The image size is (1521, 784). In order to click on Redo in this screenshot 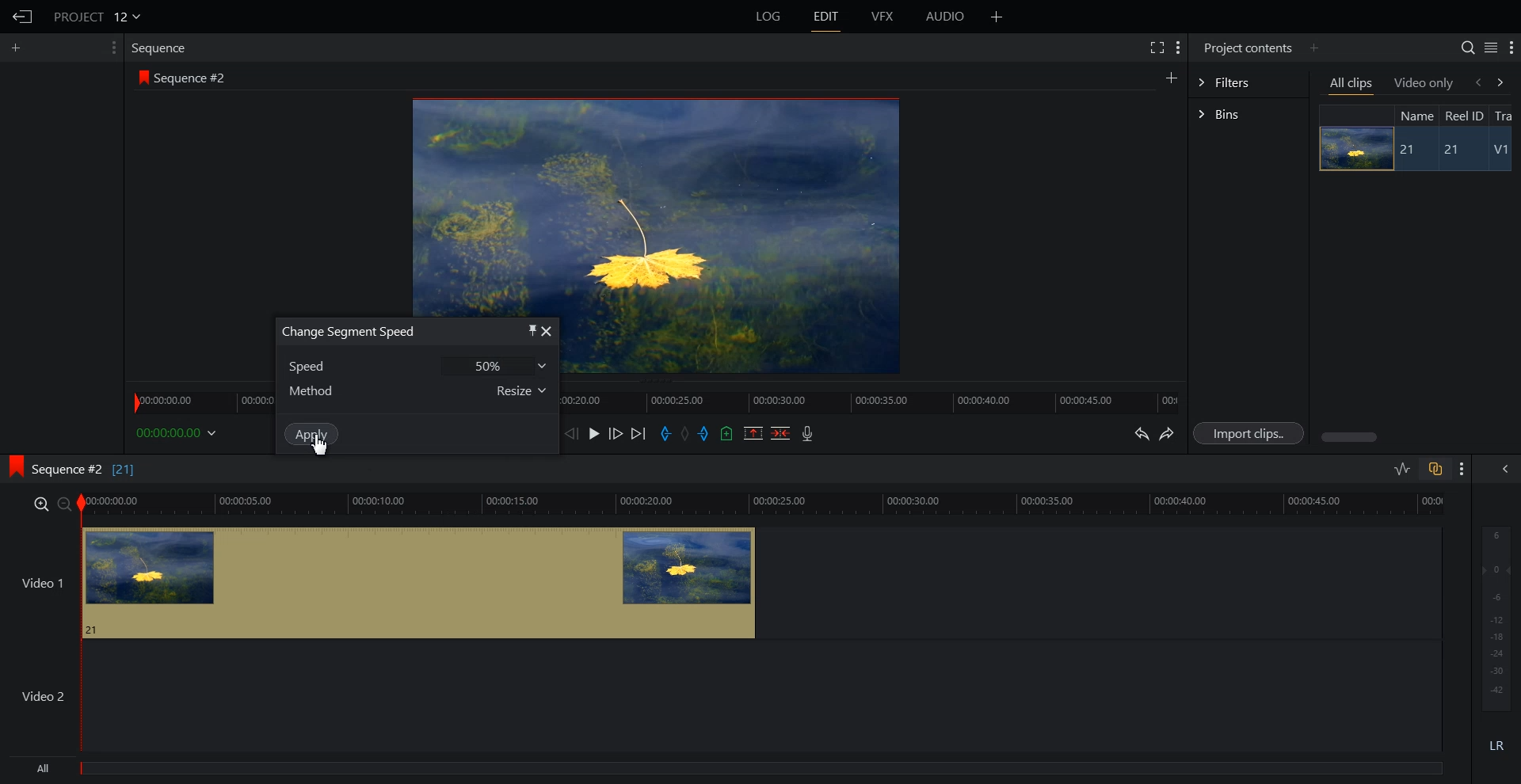, I will do `click(1168, 434)`.